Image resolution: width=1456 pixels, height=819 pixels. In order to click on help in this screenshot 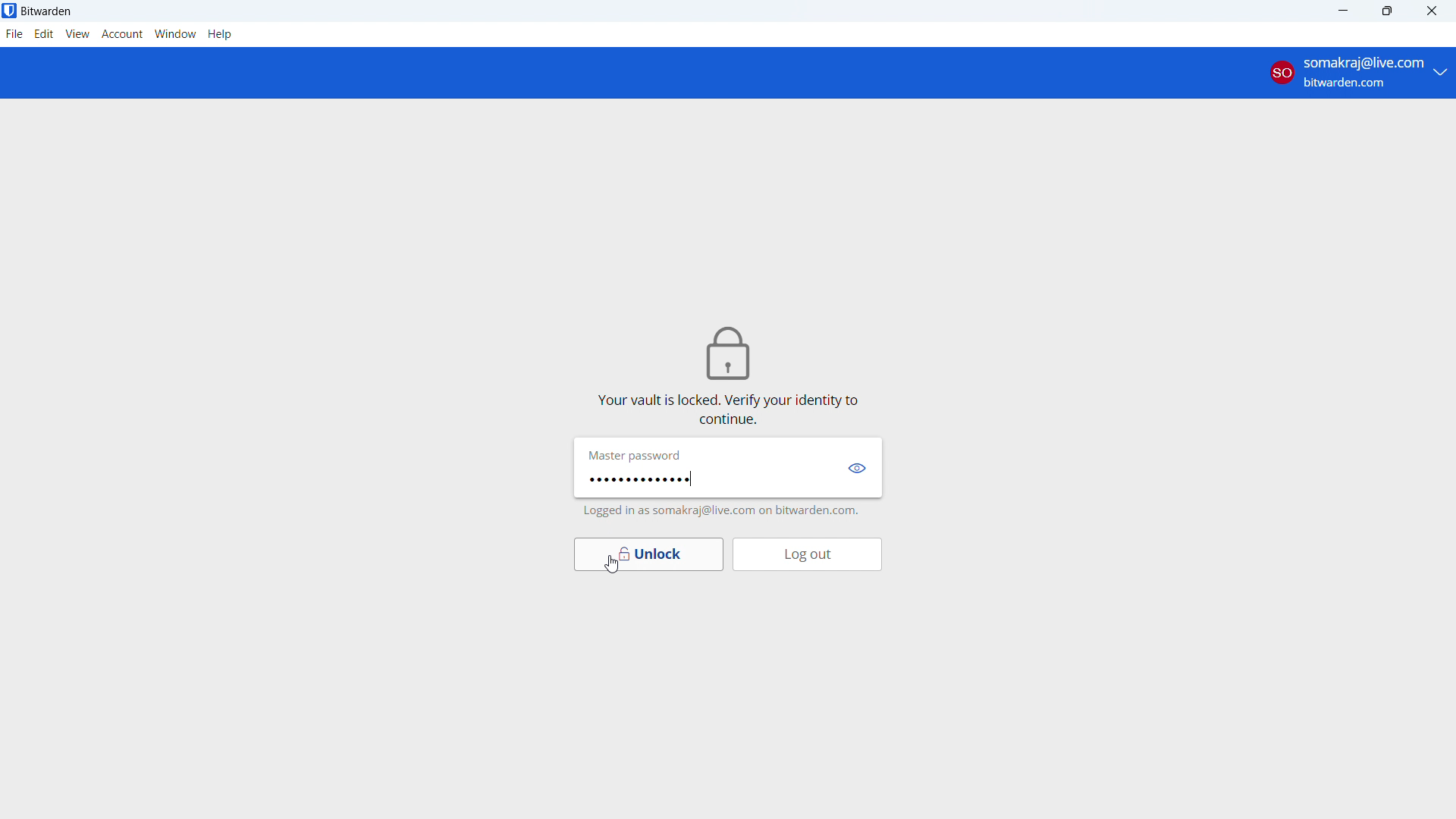, I will do `click(221, 34)`.